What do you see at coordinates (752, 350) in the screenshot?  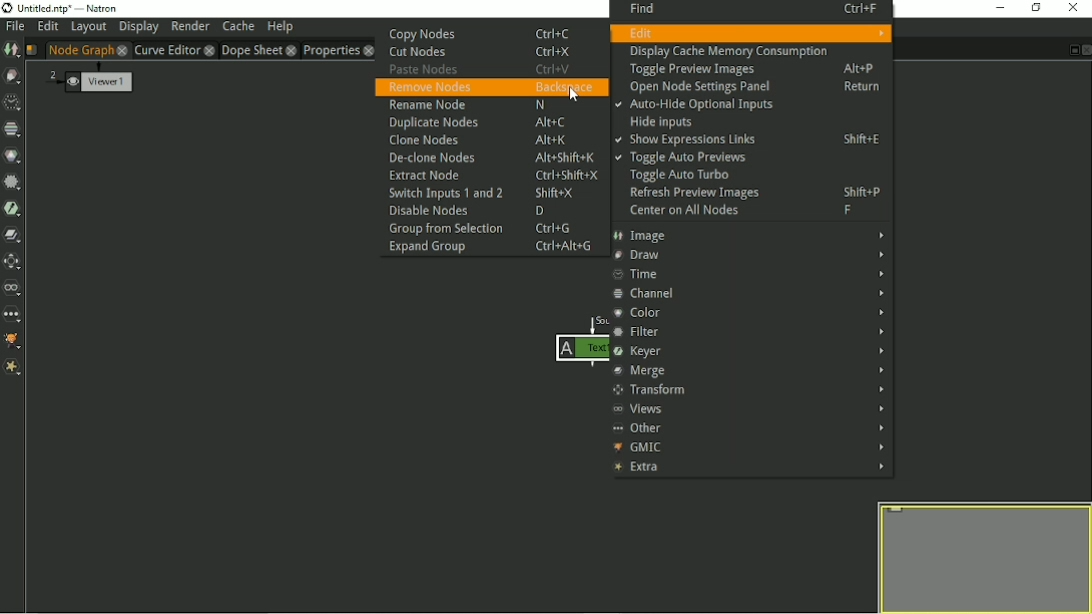 I see `Keyer` at bounding box center [752, 350].